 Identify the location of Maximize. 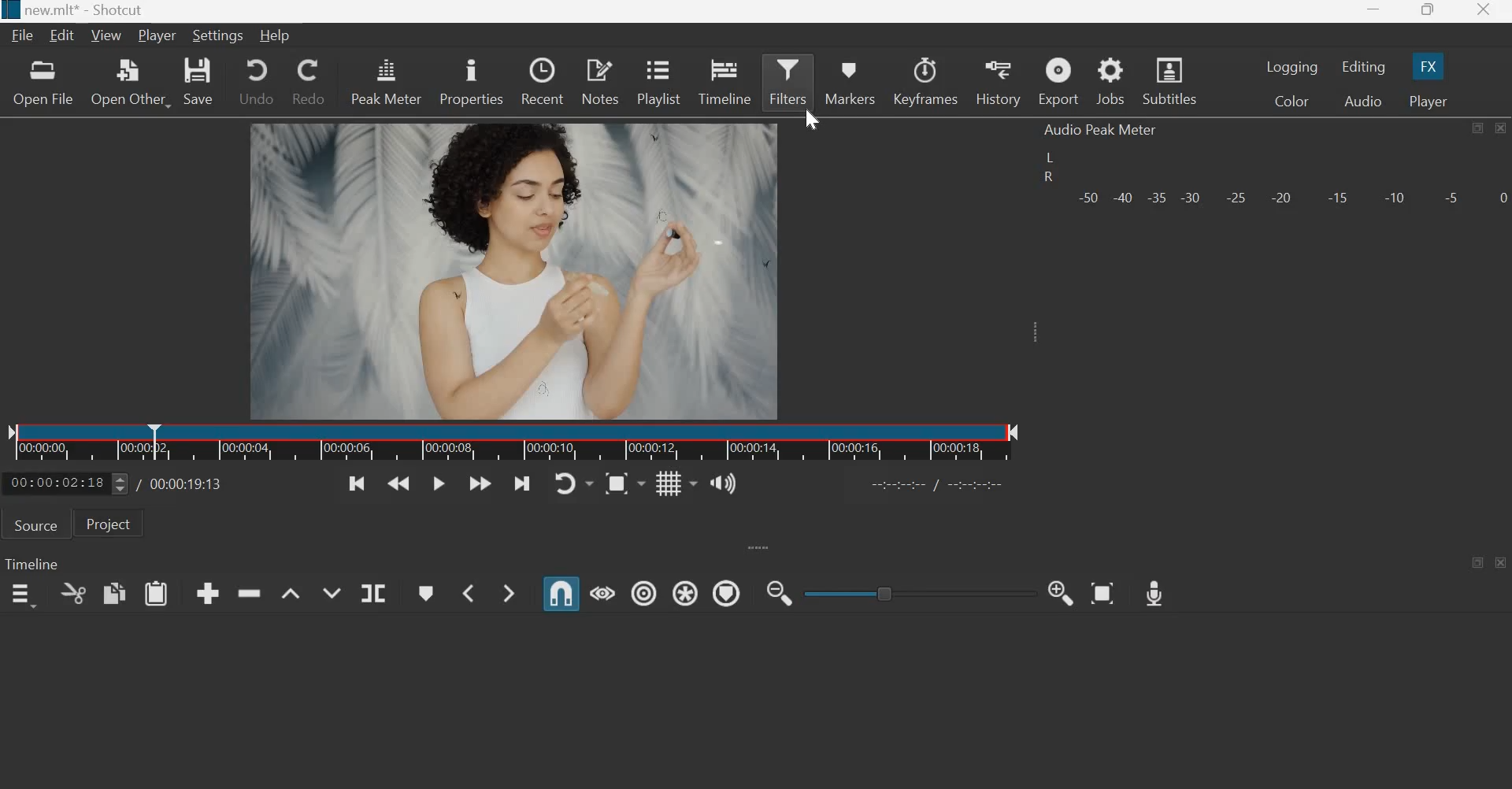
(1429, 11).